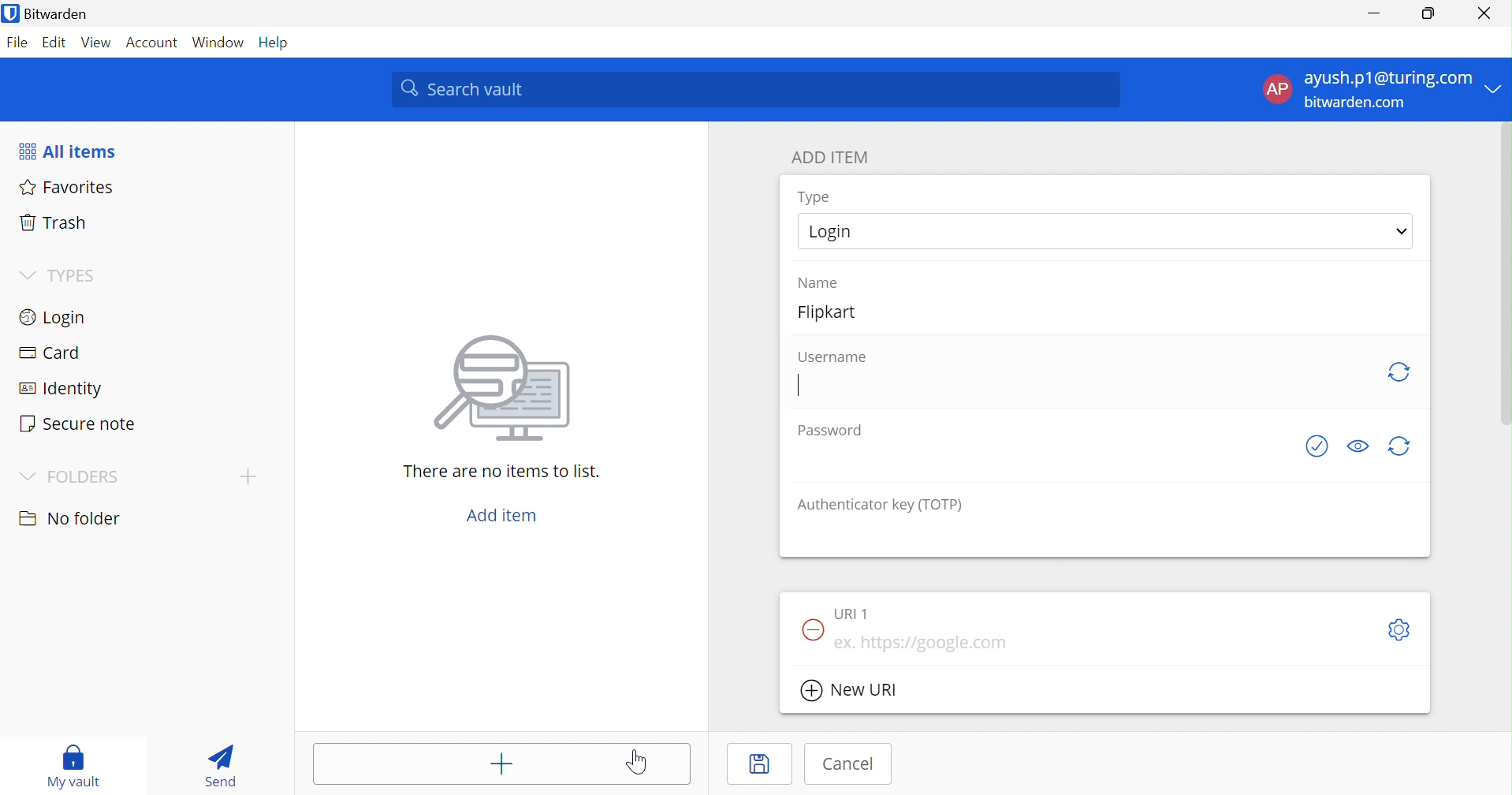 The height and width of the screenshot is (795, 1512). Describe the element at coordinates (814, 197) in the screenshot. I see `Type` at that location.